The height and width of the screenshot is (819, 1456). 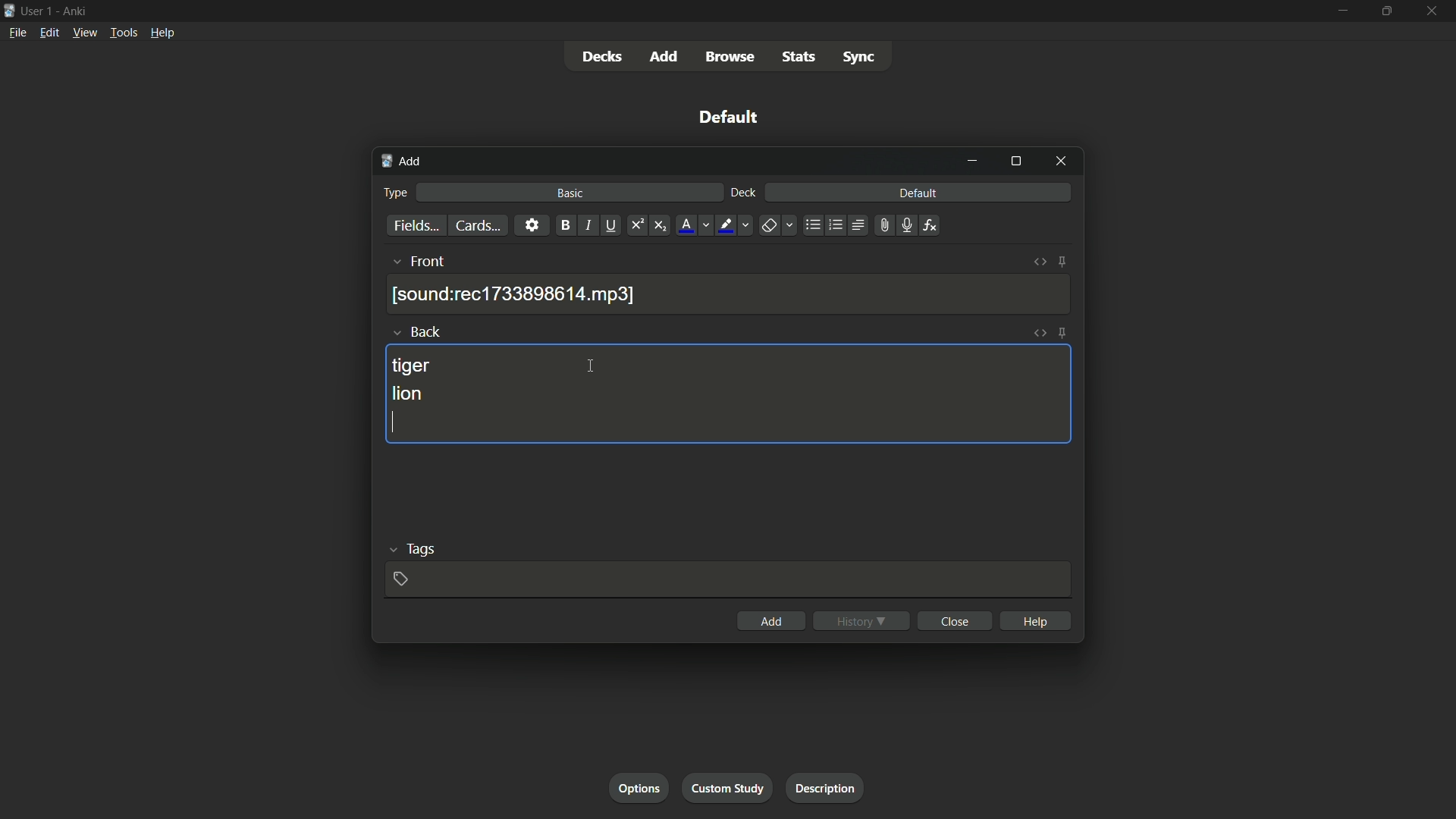 I want to click on recording saved, so click(x=516, y=294).